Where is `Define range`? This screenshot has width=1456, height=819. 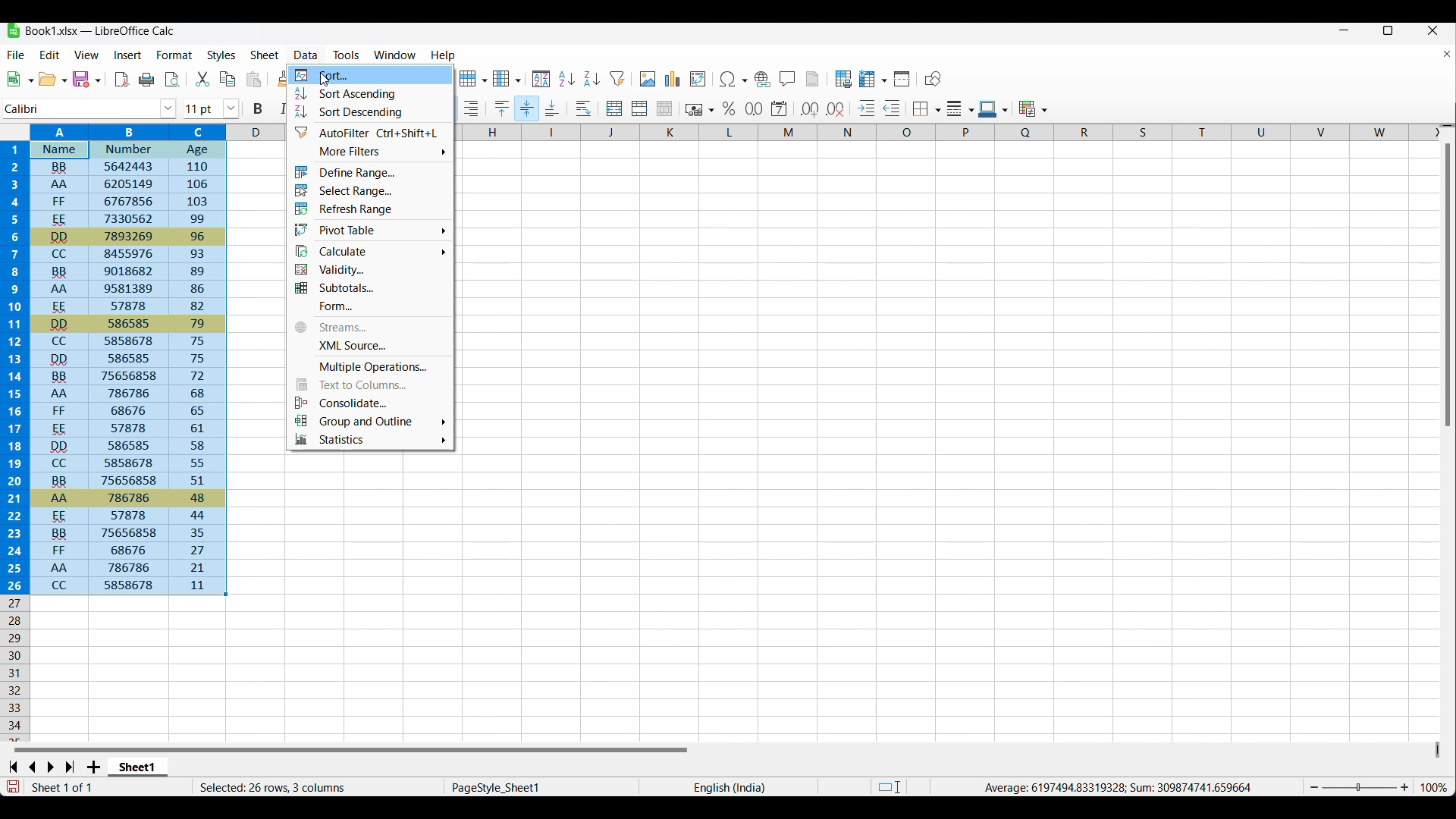 Define range is located at coordinates (369, 172).